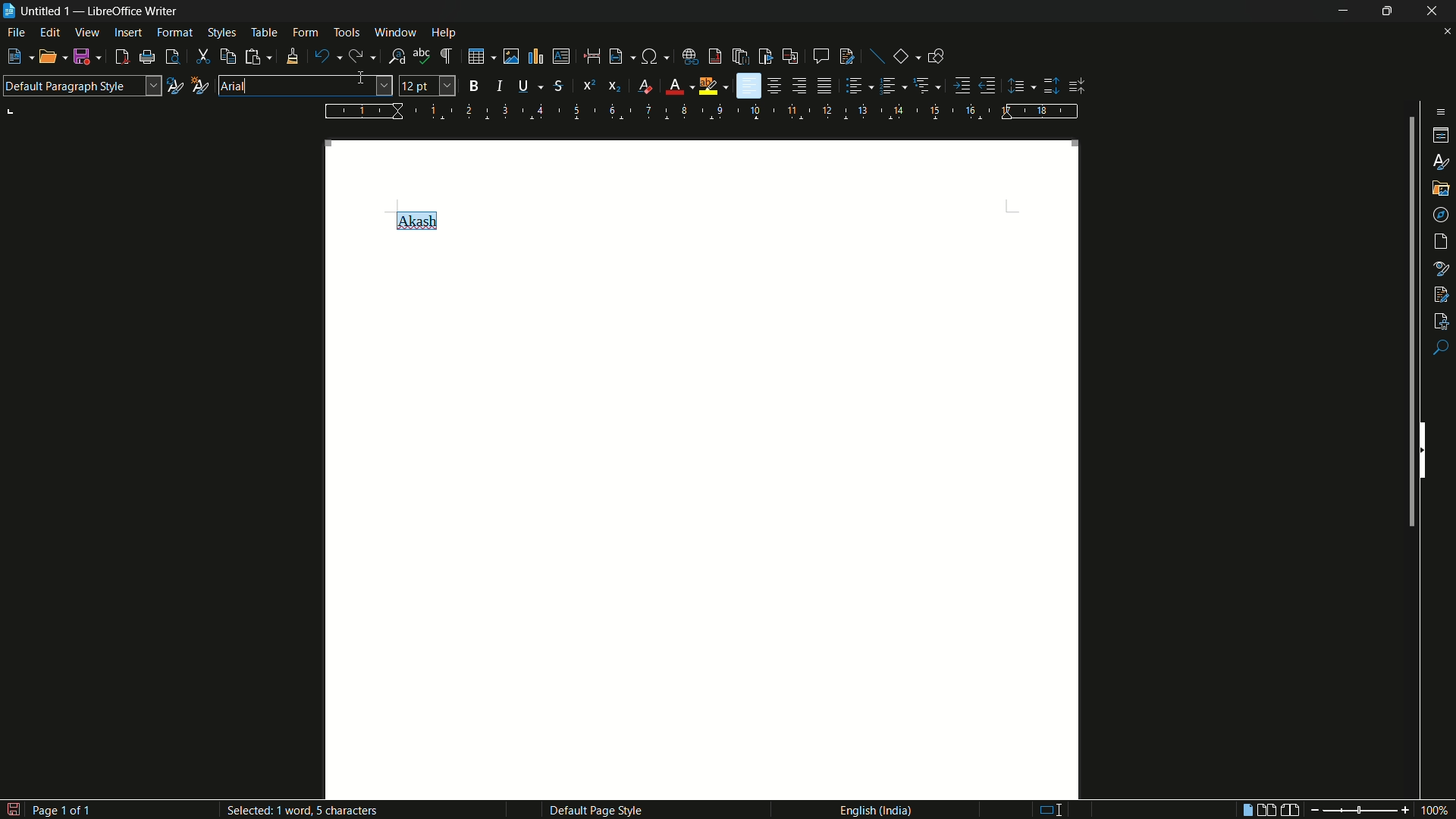 The width and height of the screenshot is (1456, 819). What do you see at coordinates (128, 32) in the screenshot?
I see `insert menu` at bounding box center [128, 32].